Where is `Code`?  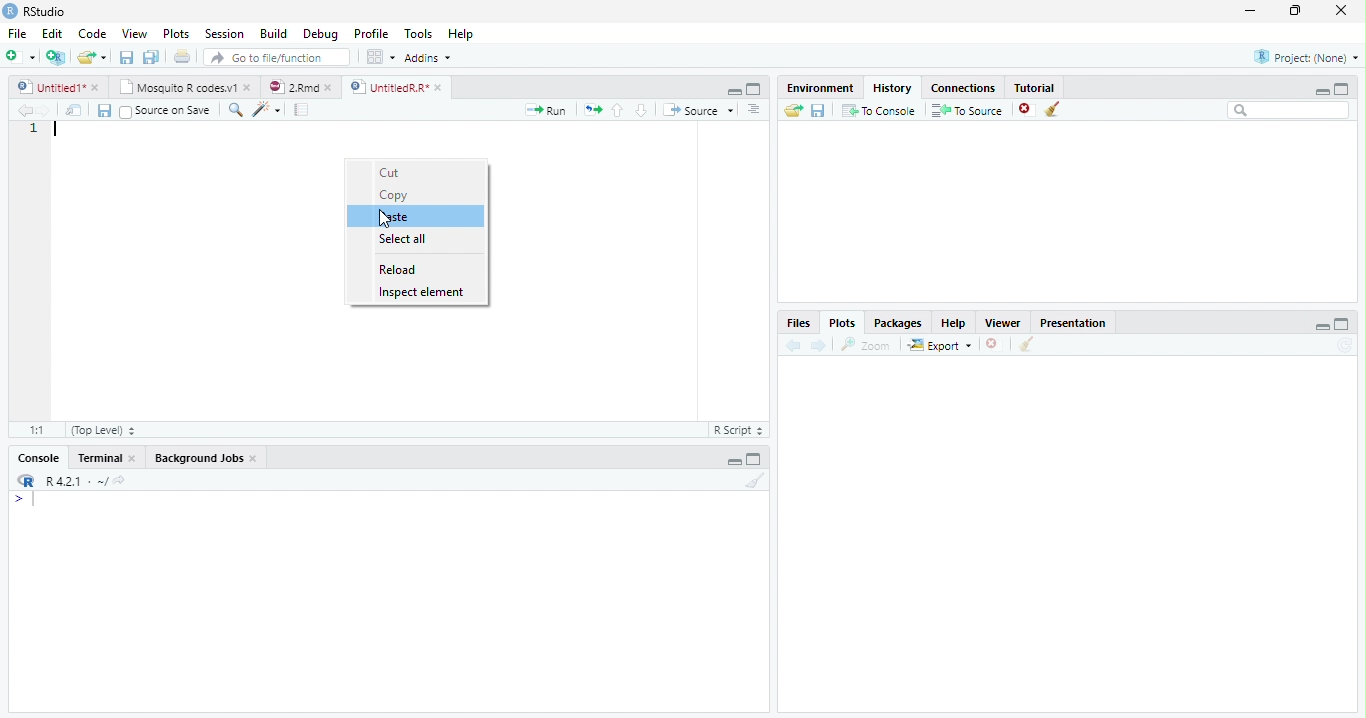
Code is located at coordinates (94, 33).